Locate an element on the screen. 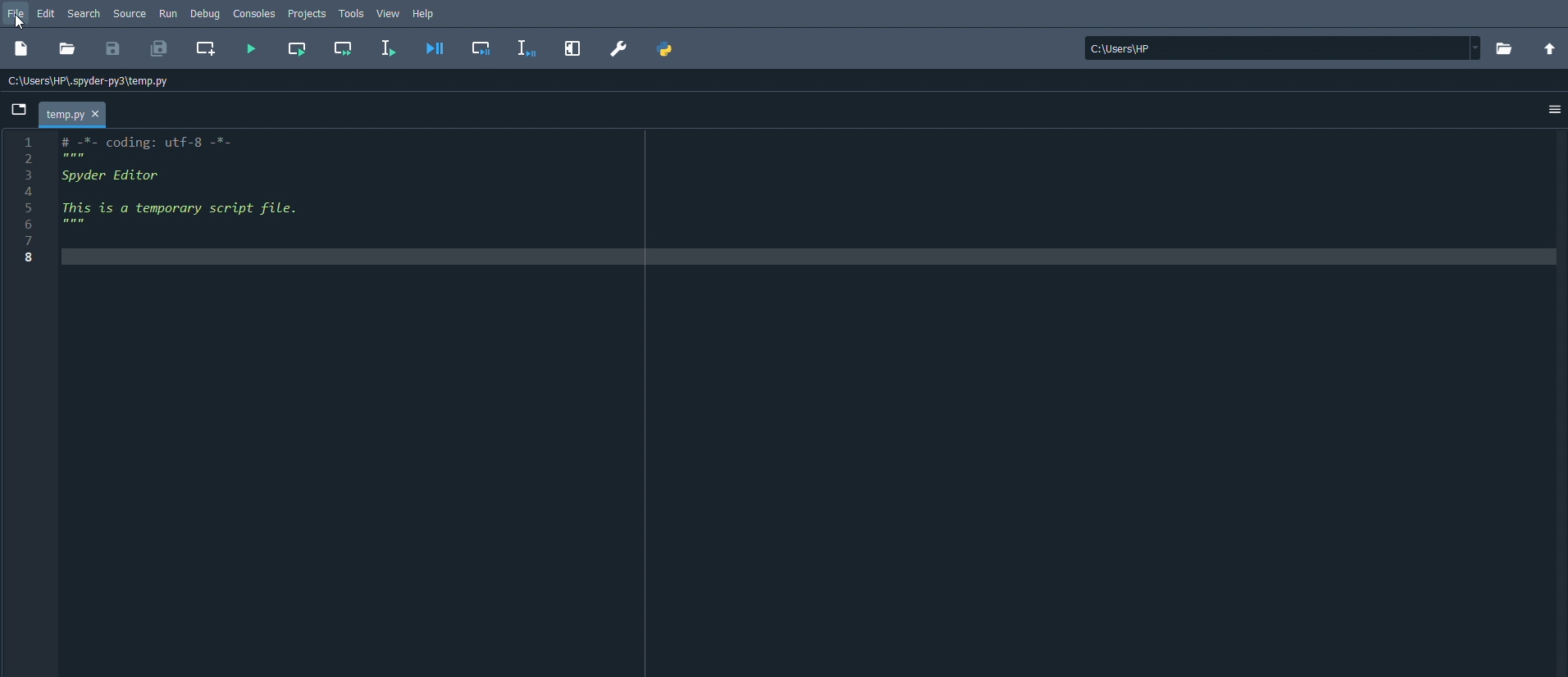  Open file is located at coordinates (66, 49).